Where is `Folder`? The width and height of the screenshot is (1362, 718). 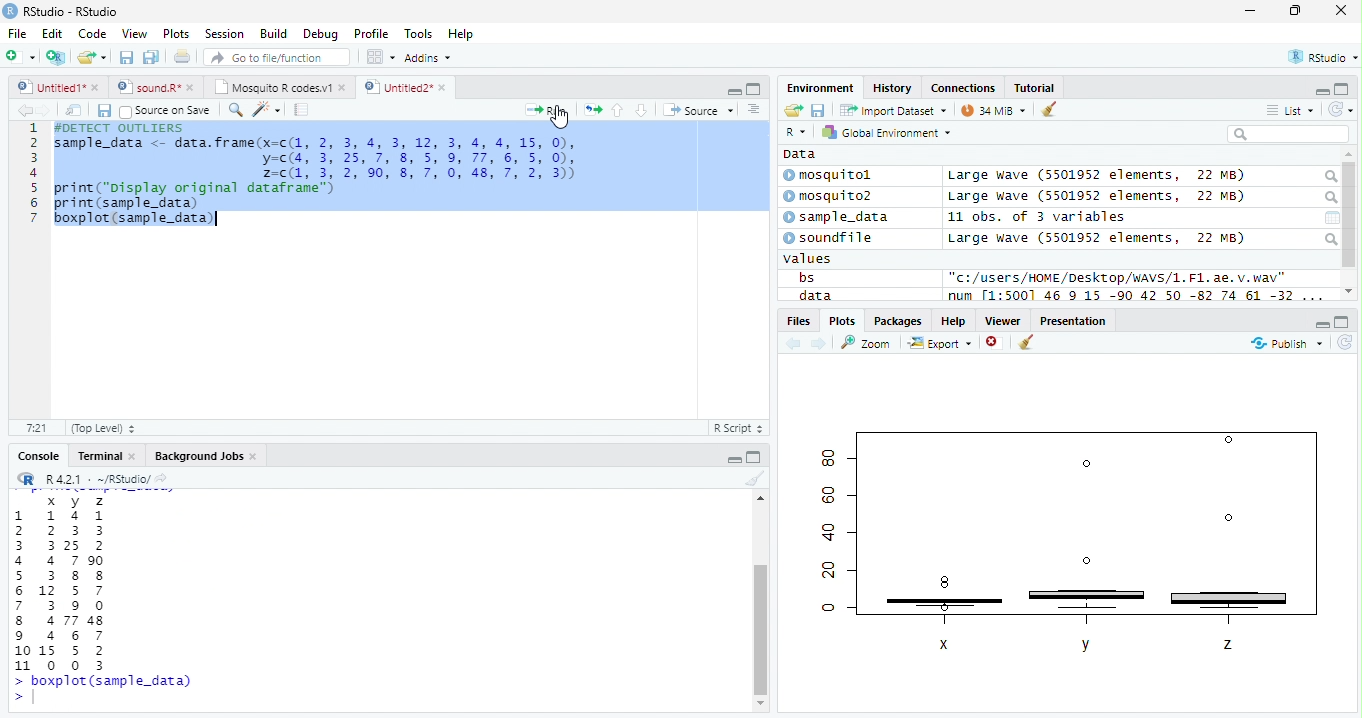
Folder is located at coordinates (793, 110).